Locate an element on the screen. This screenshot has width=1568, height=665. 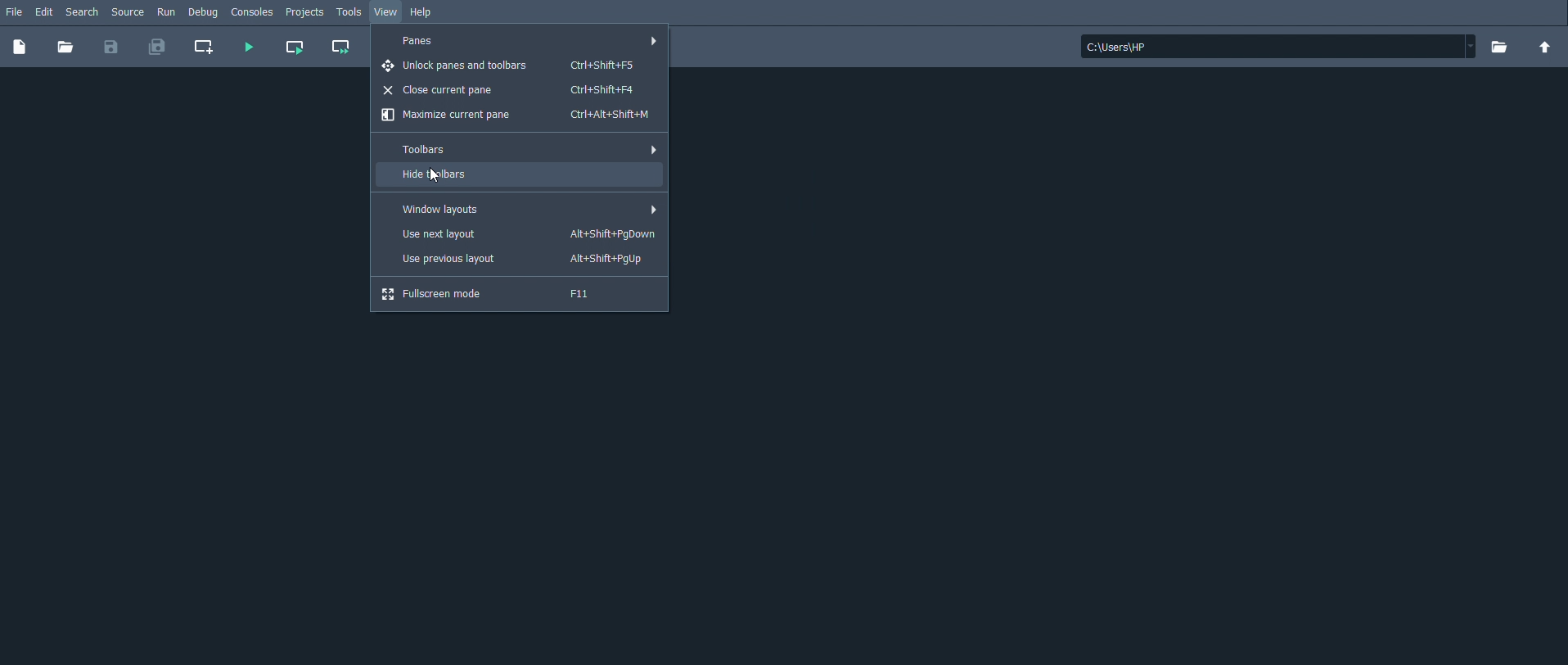
Hide toolbars is located at coordinates (432, 174).